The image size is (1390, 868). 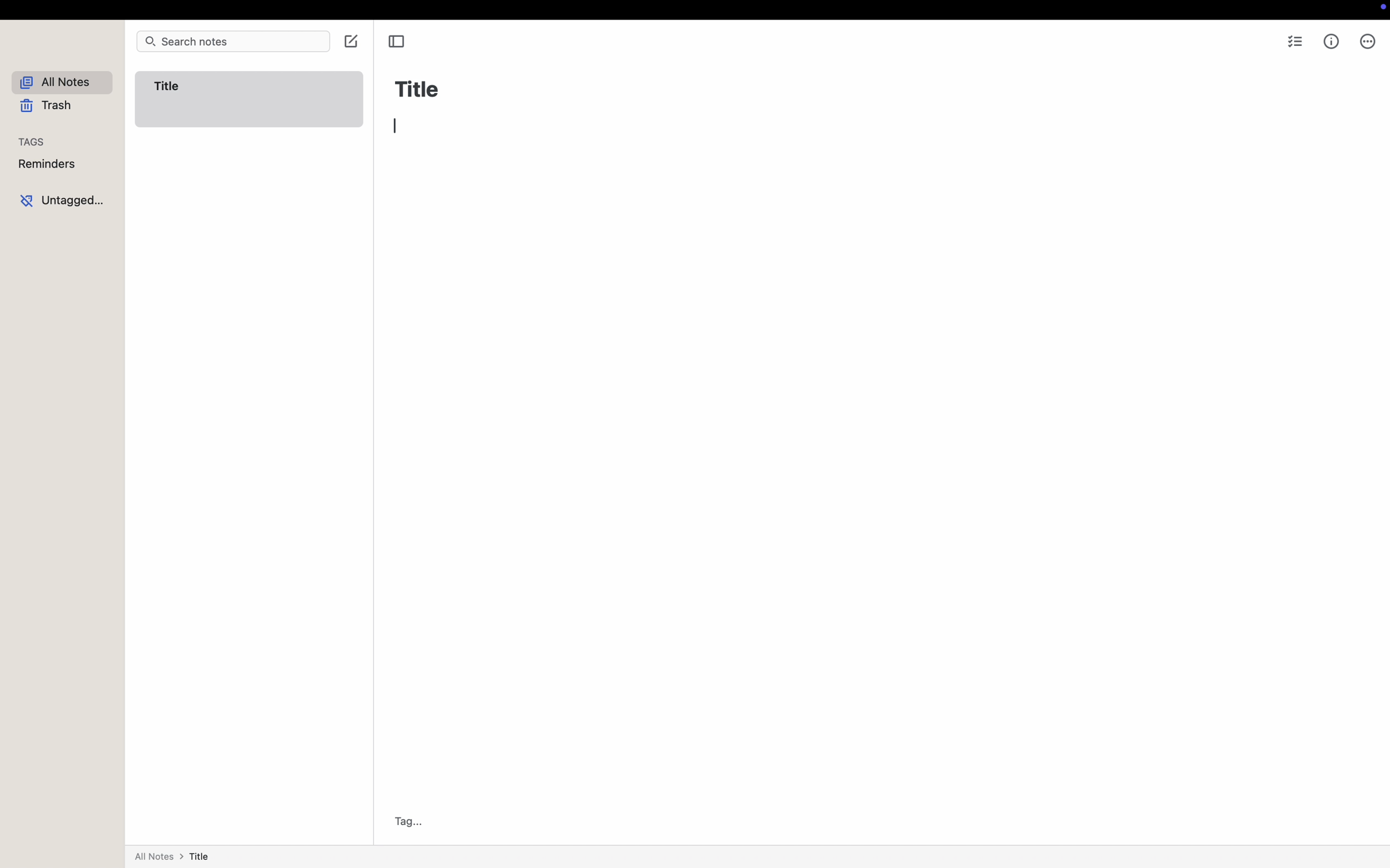 What do you see at coordinates (61, 80) in the screenshot?
I see `all notes` at bounding box center [61, 80].